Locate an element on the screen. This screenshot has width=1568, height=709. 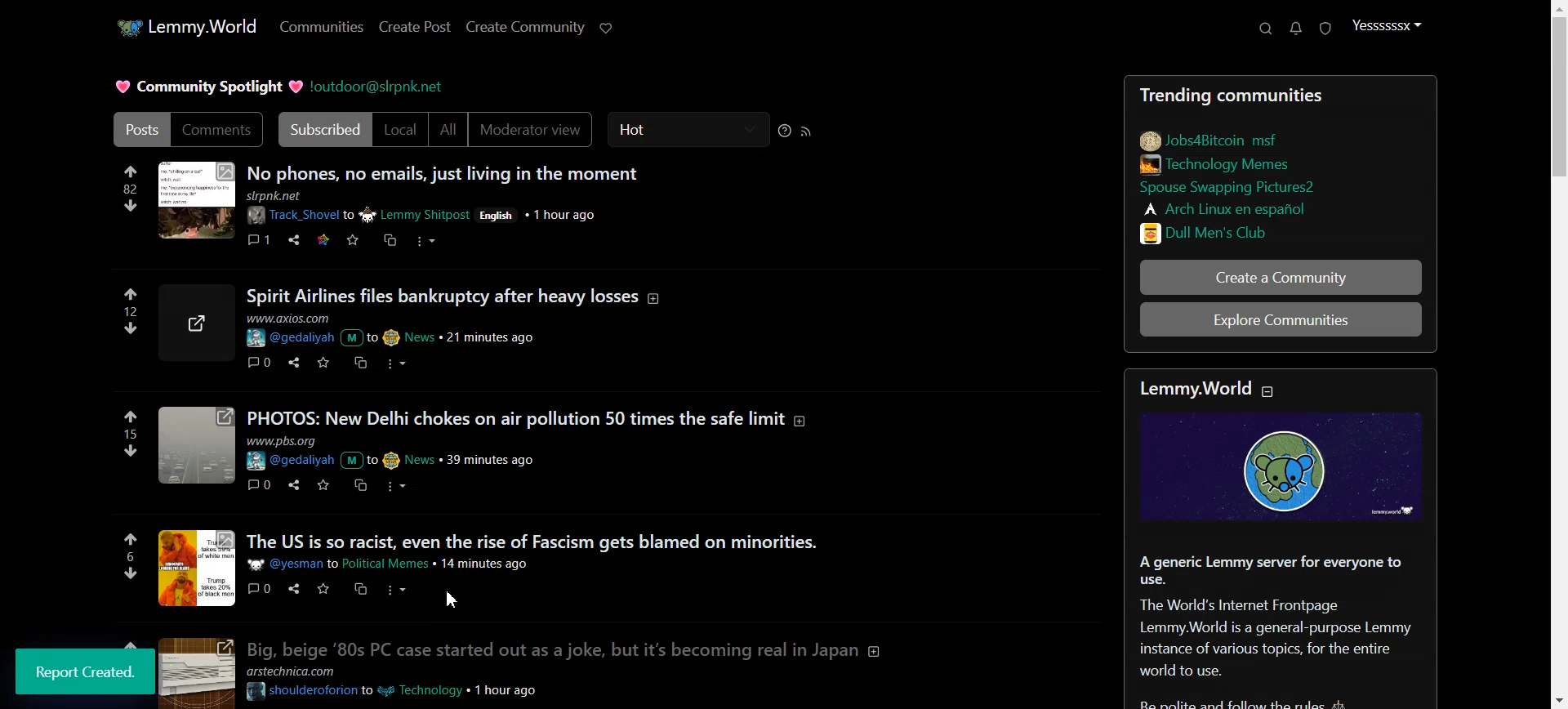
Profile is located at coordinates (1387, 26).